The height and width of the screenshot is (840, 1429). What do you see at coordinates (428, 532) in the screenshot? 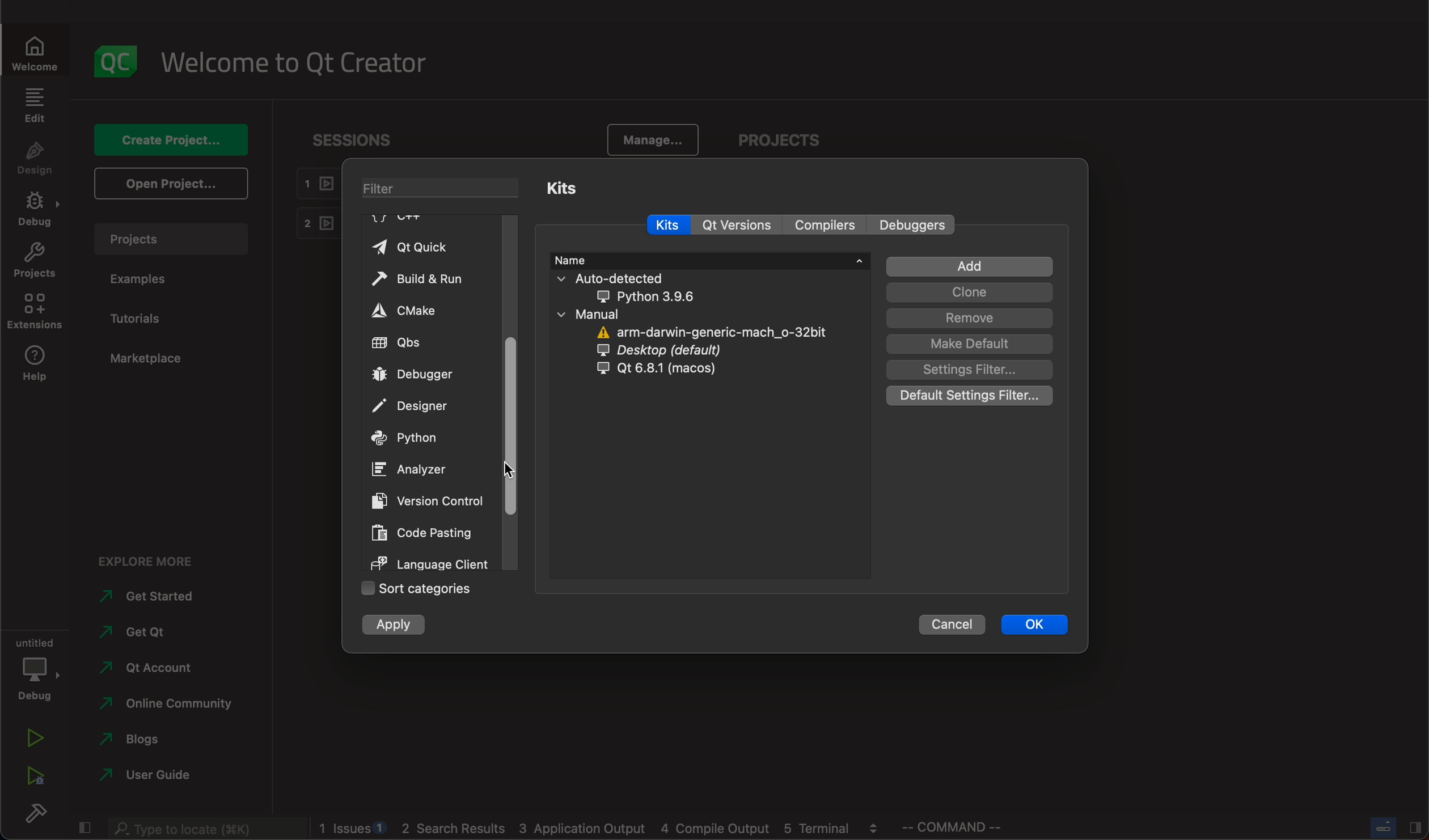
I see `code ` at bounding box center [428, 532].